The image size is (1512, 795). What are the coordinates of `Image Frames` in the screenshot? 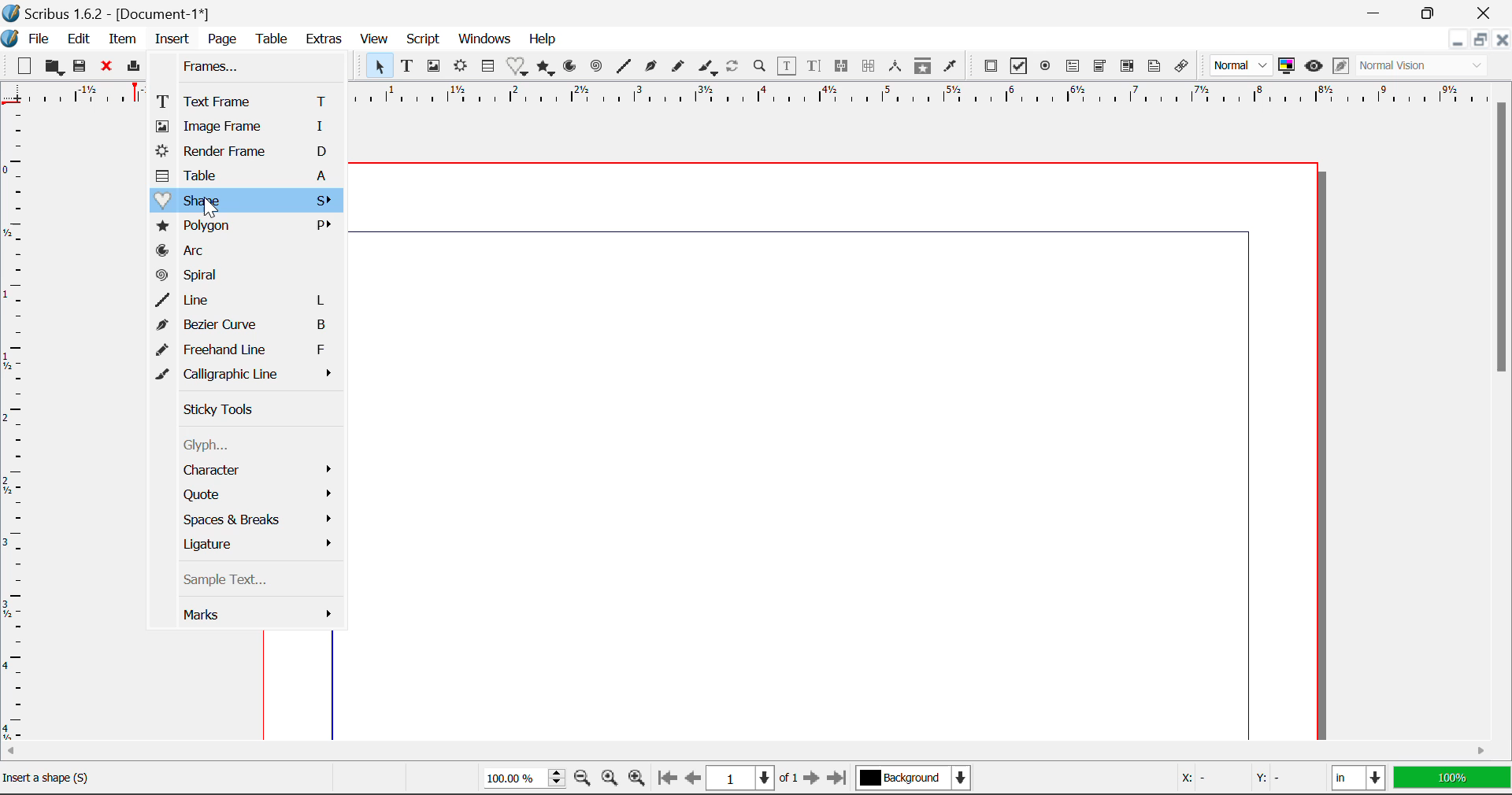 It's located at (433, 66).